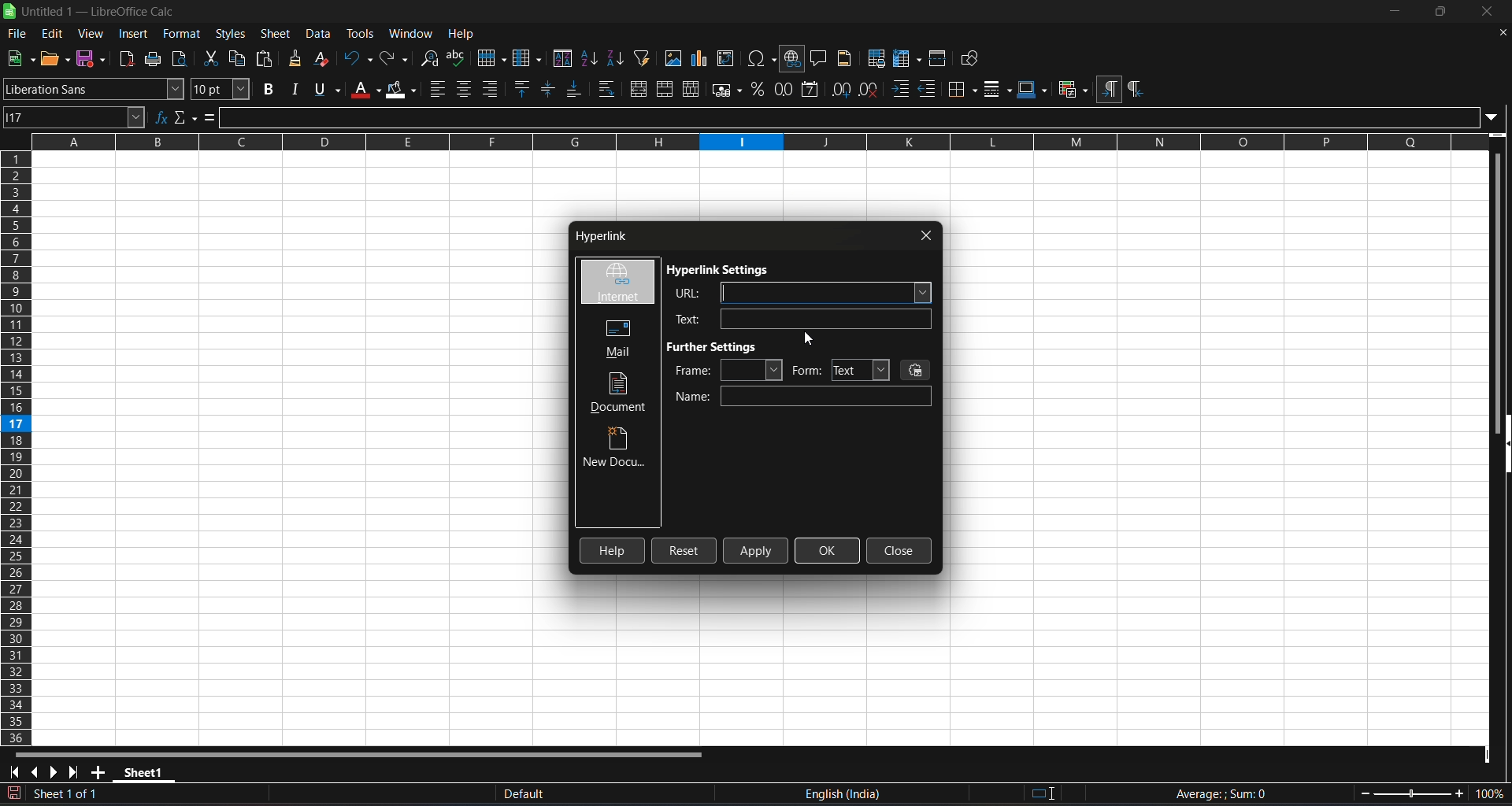  Describe the element at coordinates (798, 319) in the screenshot. I see `text` at that location.